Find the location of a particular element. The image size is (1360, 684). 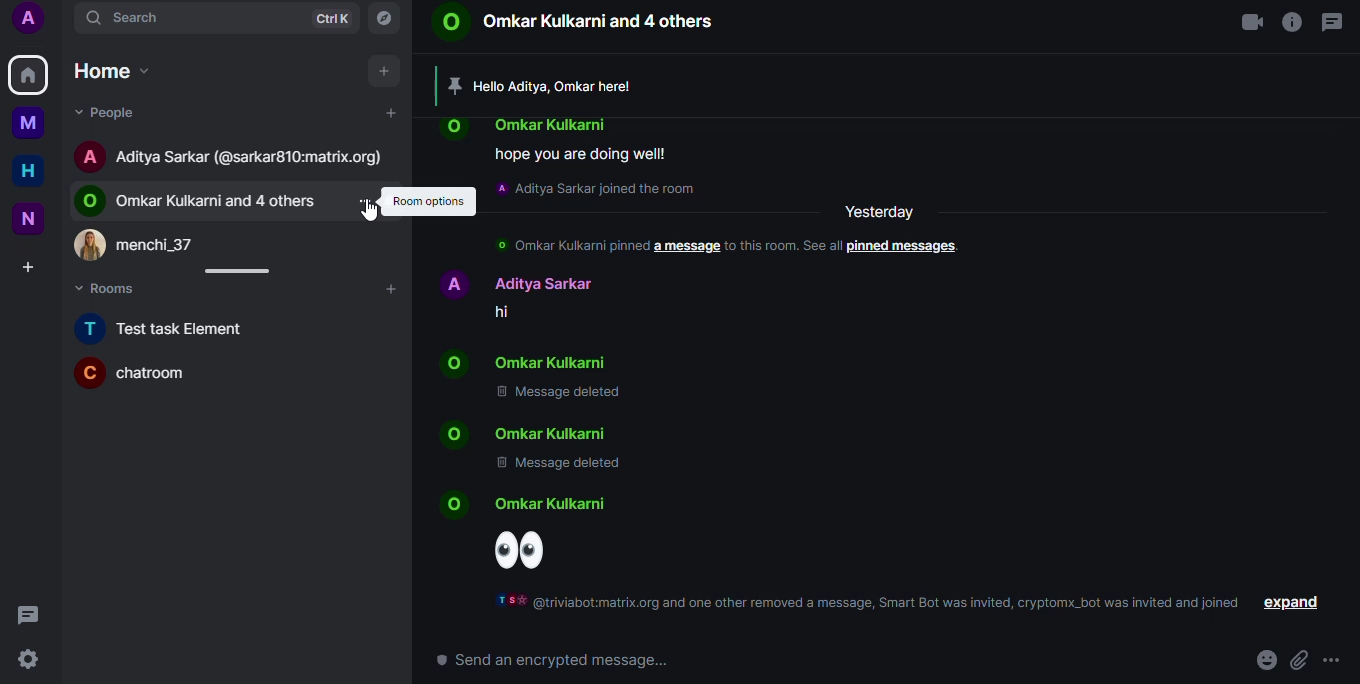

new is located at coordinates (29, 217).